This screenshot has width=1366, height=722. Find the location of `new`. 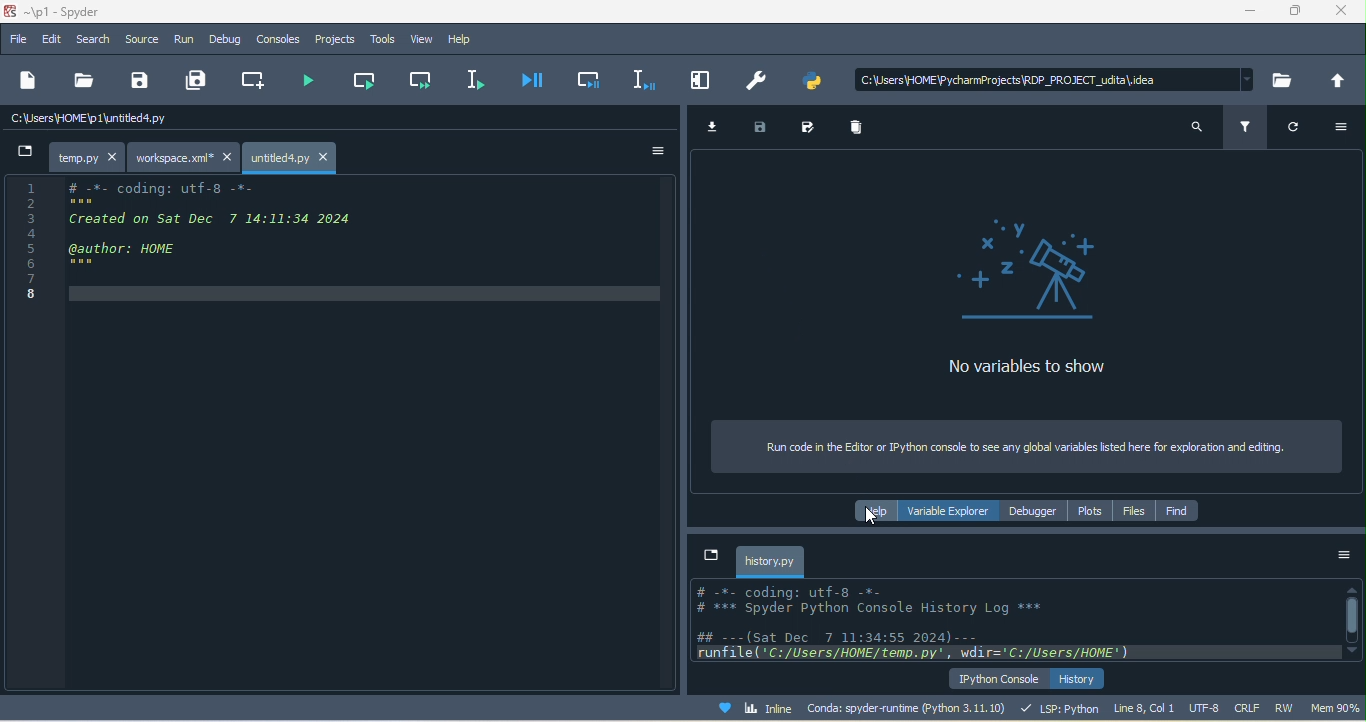

new is located at coordinates (28, 79).